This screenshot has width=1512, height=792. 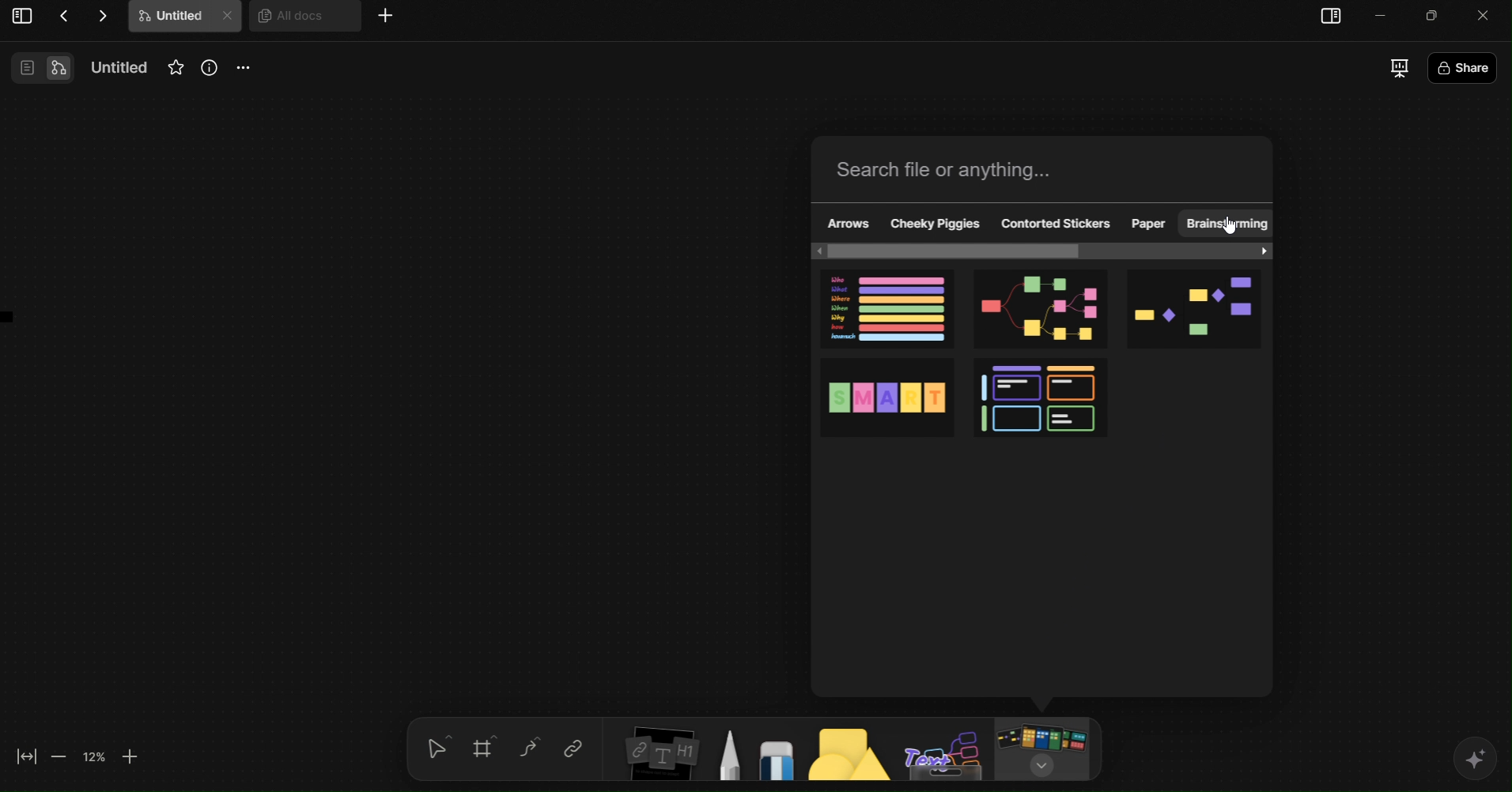 I want to click on Board/Template Tool, so click(x=1048, y=752).